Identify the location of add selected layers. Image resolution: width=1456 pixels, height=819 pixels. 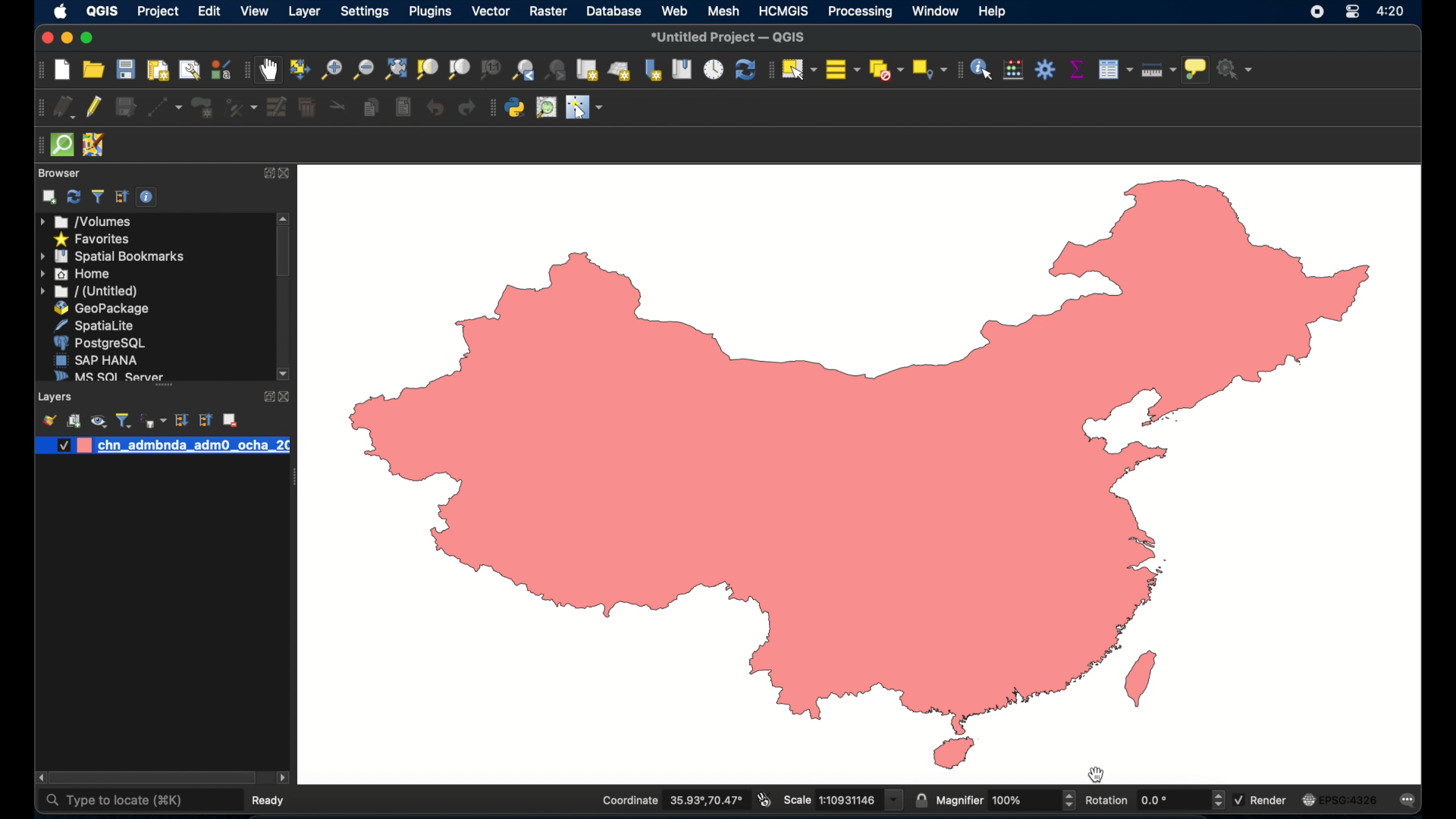
(49, 197).